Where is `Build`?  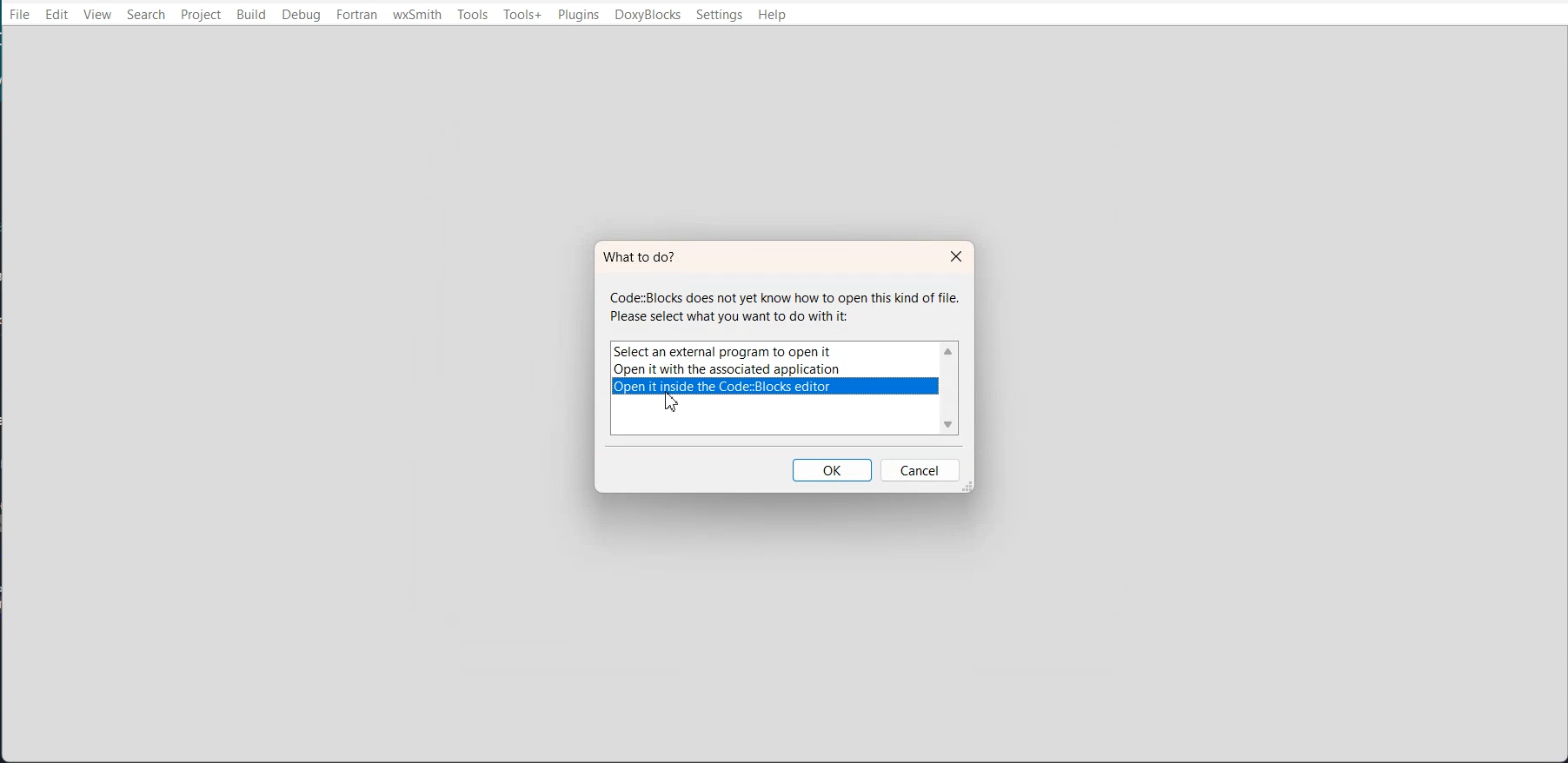 Build is located at coordinates (252, 15).